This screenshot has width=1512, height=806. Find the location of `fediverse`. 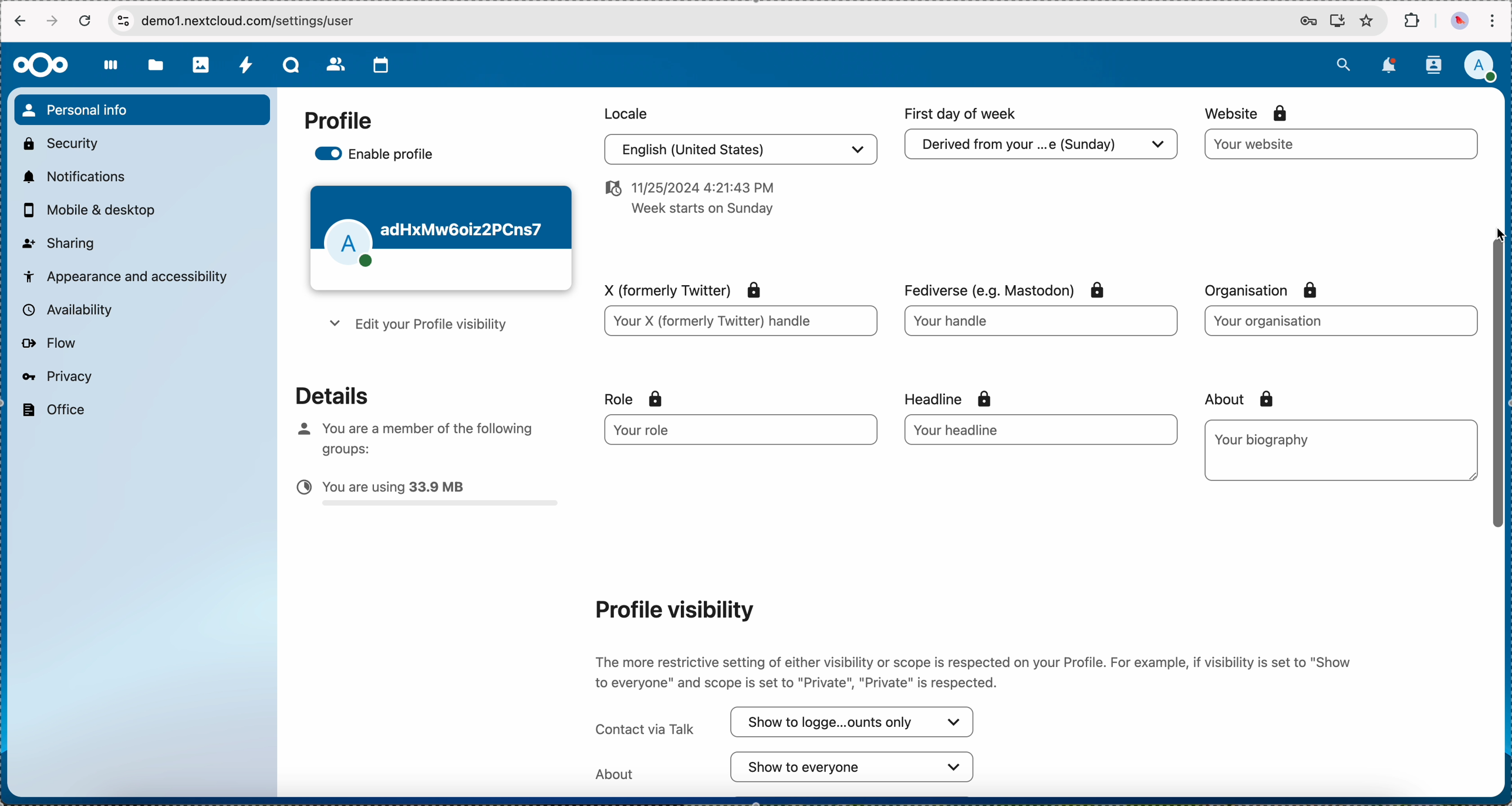

fediverse is located at coordinates (1001, 286).